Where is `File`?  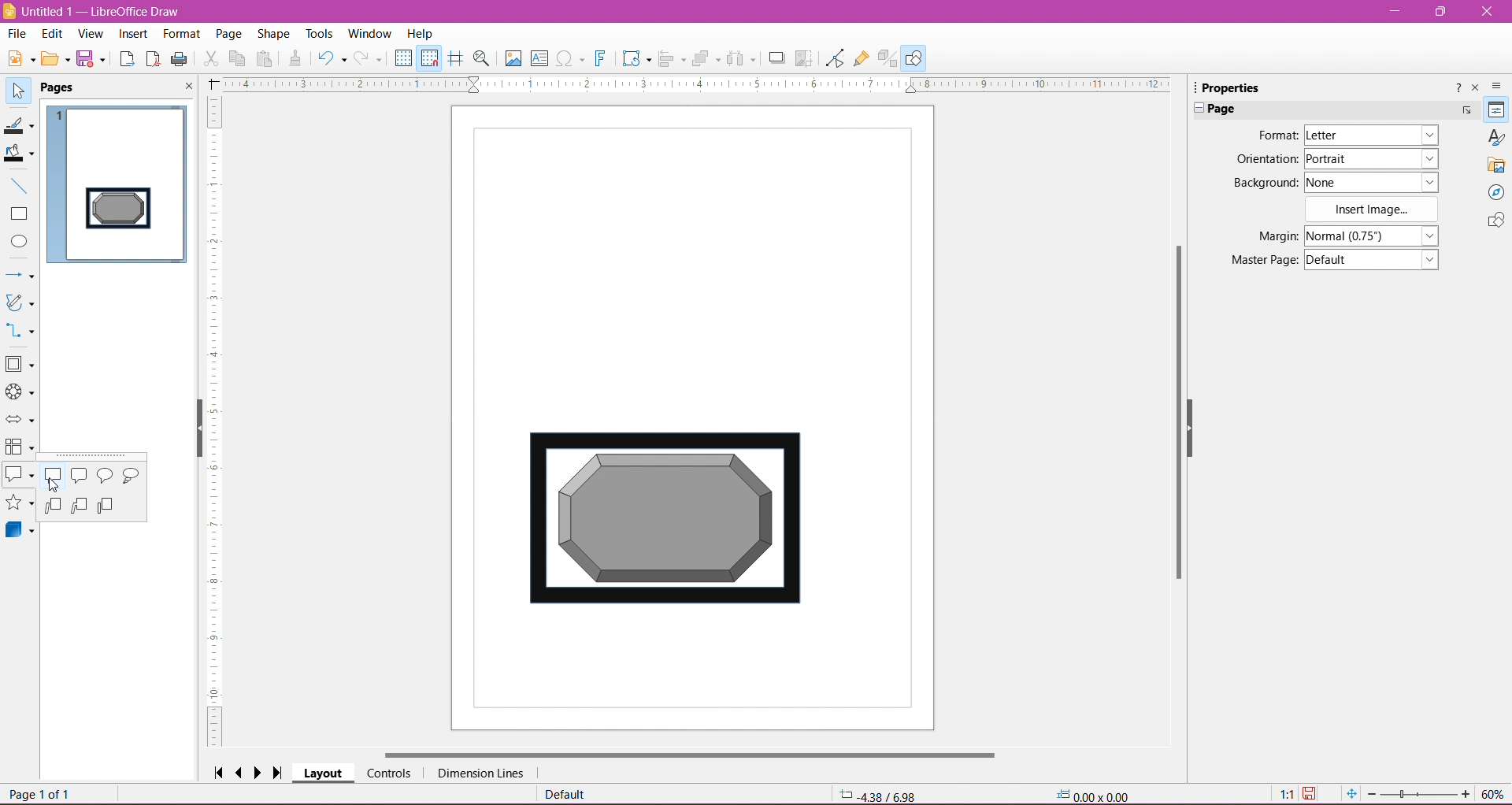
File is located at coordinates (16, 33).